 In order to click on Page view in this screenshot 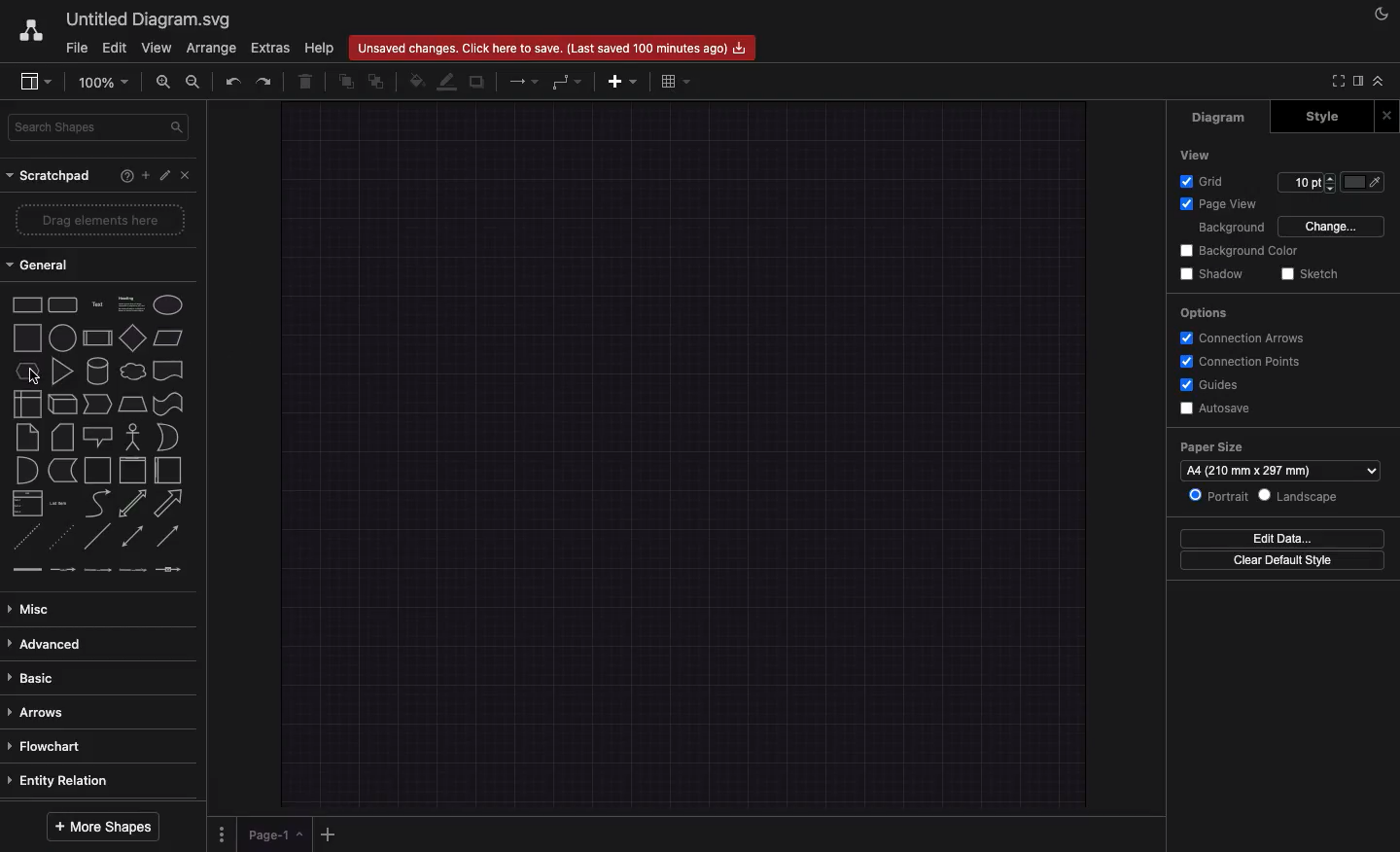, I will do `click(1220, 203)`.